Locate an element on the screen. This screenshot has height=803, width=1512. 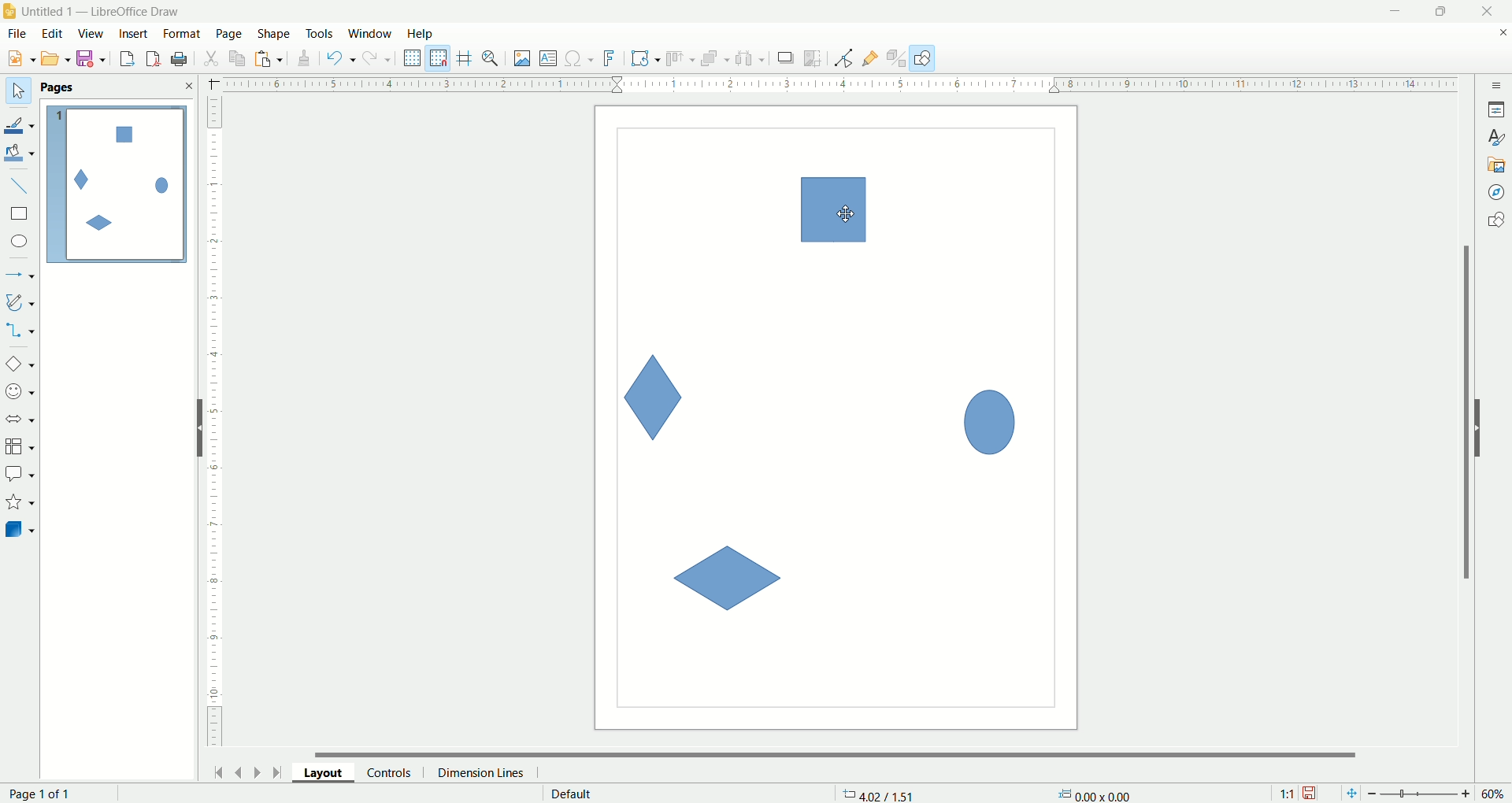
display grid is located at coordinates (413, 57).